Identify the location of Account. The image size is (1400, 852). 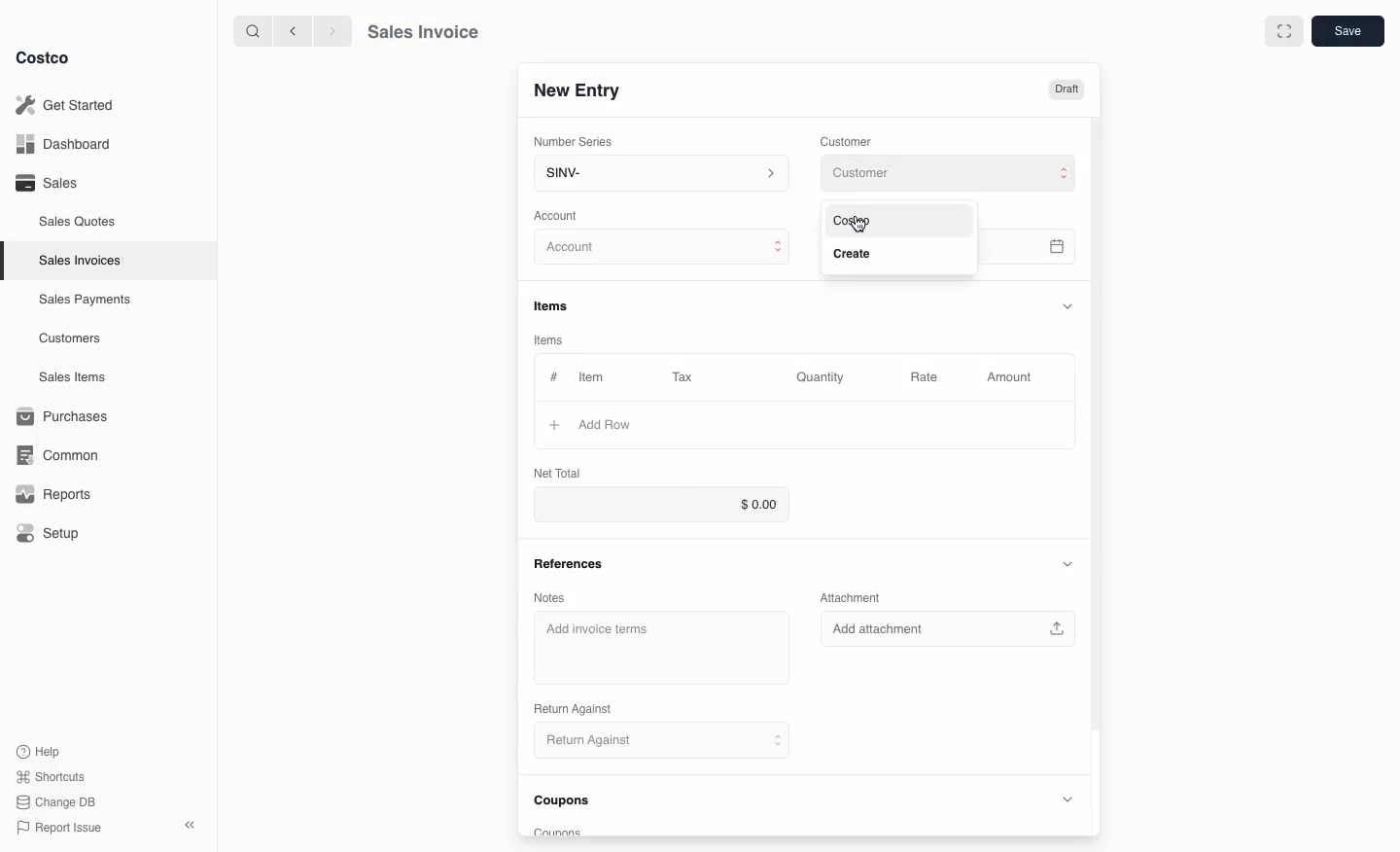
(662, 248).